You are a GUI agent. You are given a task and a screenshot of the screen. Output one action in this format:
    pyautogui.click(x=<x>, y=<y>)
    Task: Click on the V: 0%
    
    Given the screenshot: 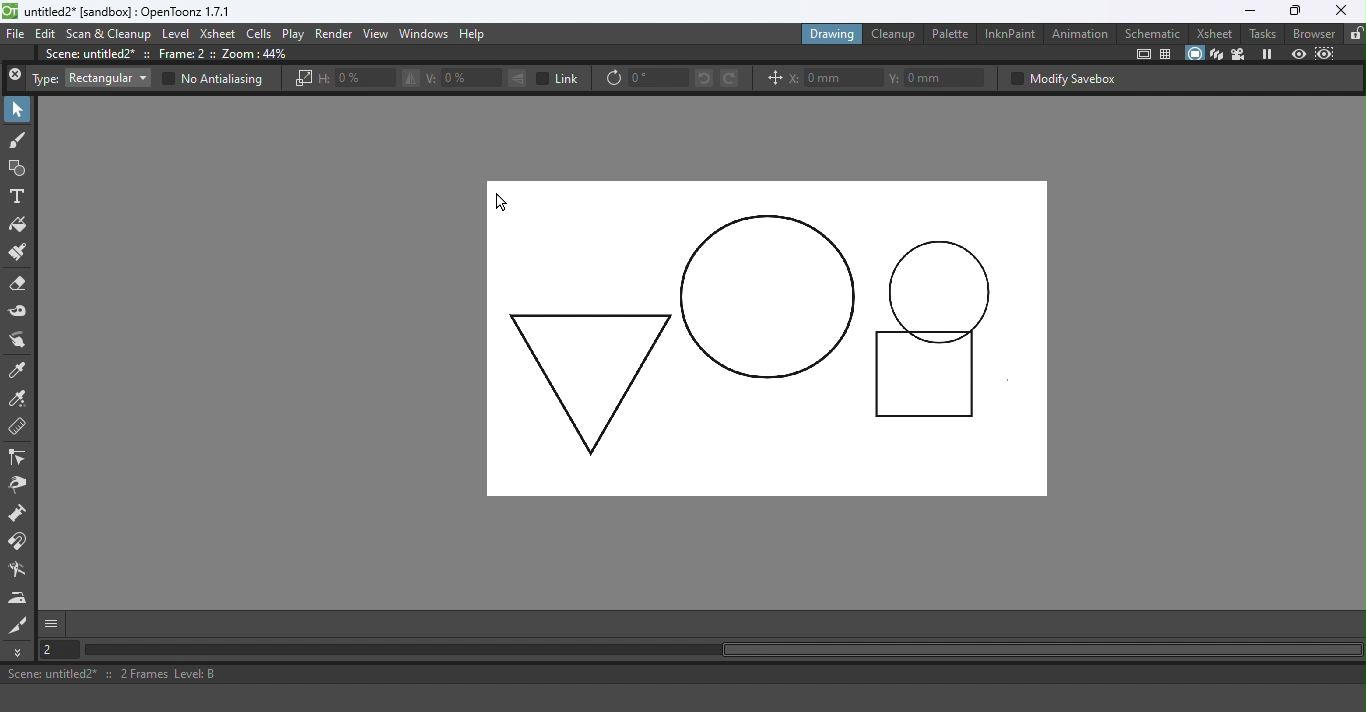 What is the action you would take?
    pyautogui.click(x=463, y=78)
    